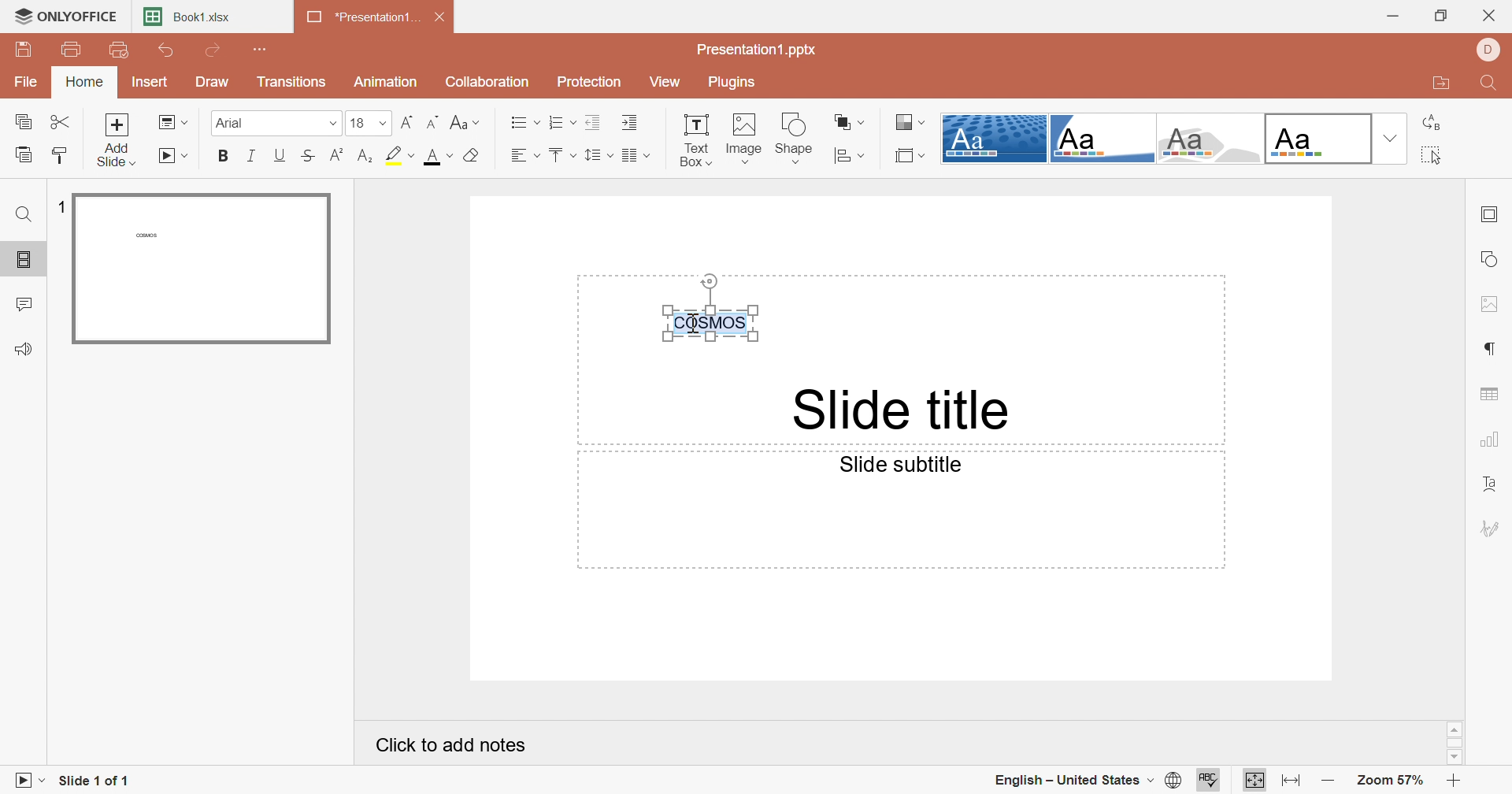 This screenshot has height=794, width=1512. What do you see at coordinates (1329, 783) in the screenshot?
I see `Zoom out` at bounding box center [1329, 783].